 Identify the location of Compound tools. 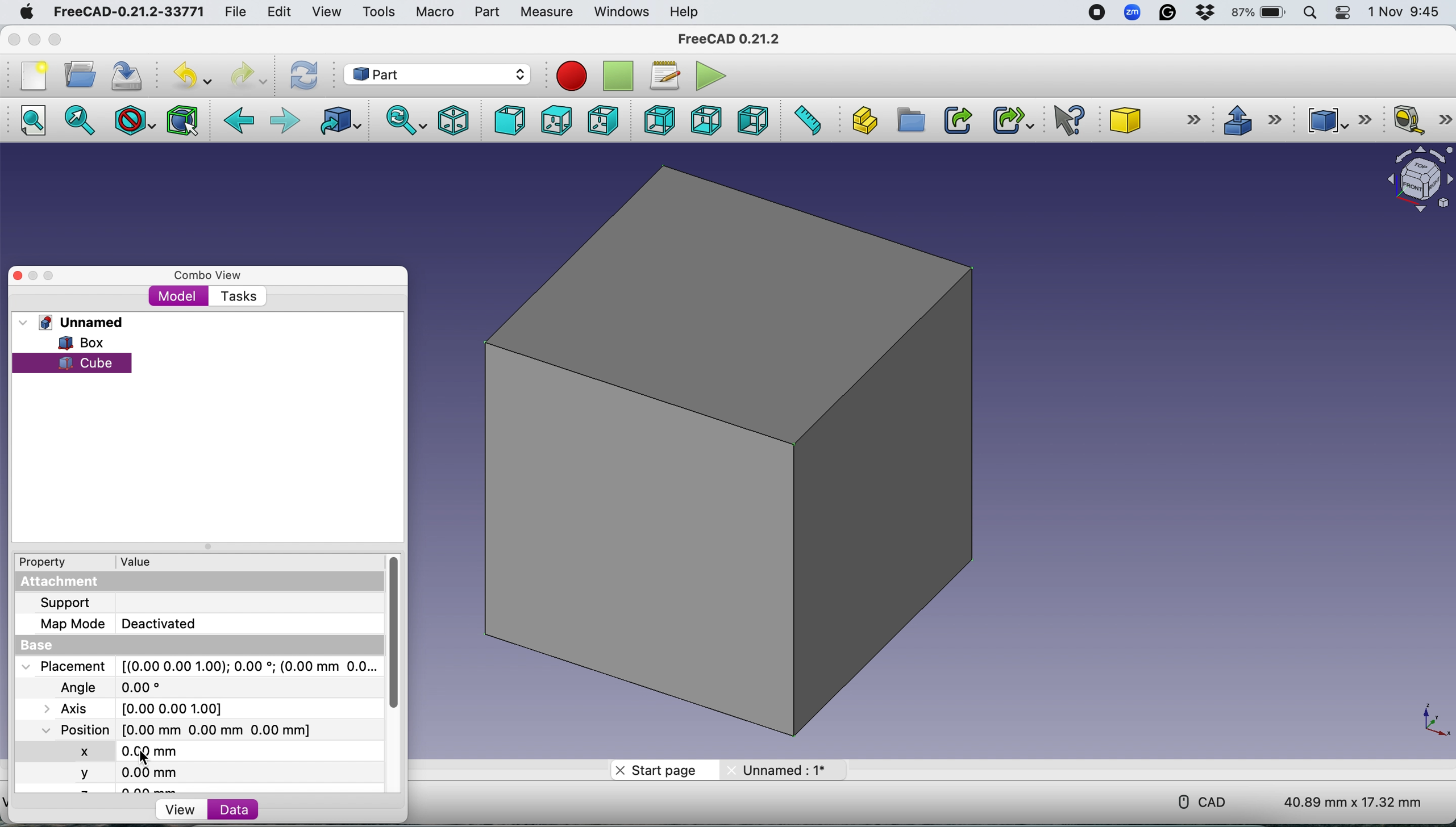
(1336, 120).